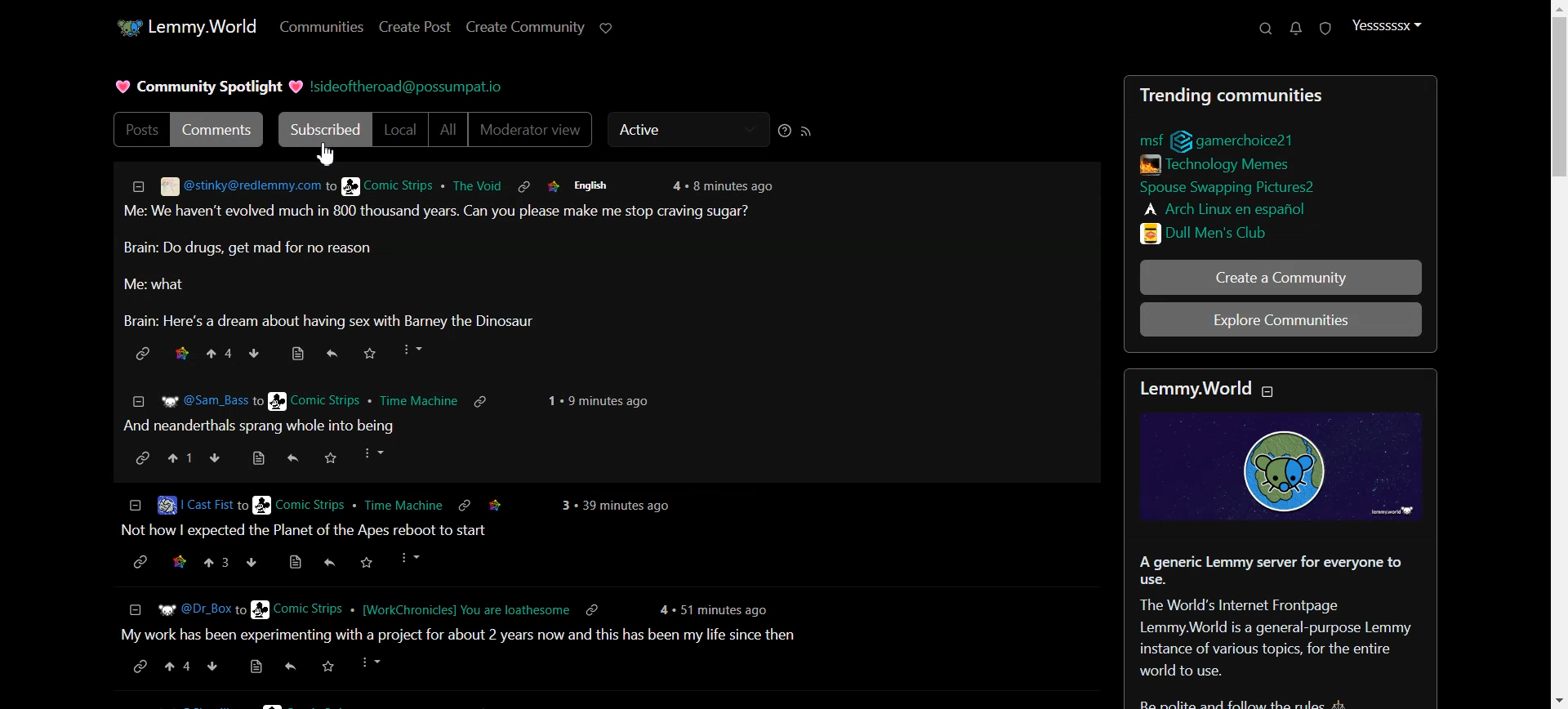 The width and height of the screenshot is (1568, 709). What do you see at coordinates (416, 186) in the screenshot?
I see `username` at bounding box center [416, 186].